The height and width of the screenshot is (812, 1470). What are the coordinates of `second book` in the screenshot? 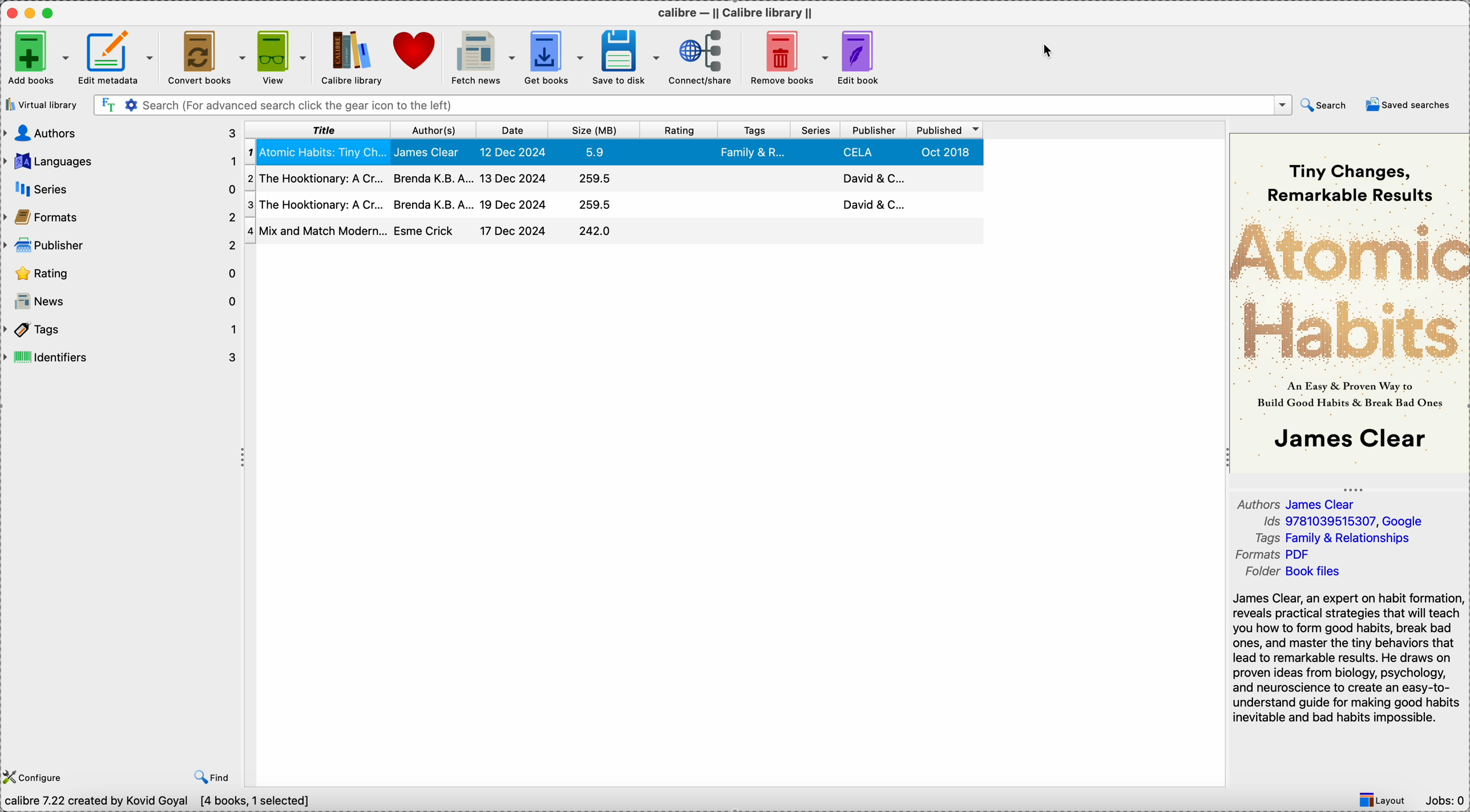 It's located at (613, 180).